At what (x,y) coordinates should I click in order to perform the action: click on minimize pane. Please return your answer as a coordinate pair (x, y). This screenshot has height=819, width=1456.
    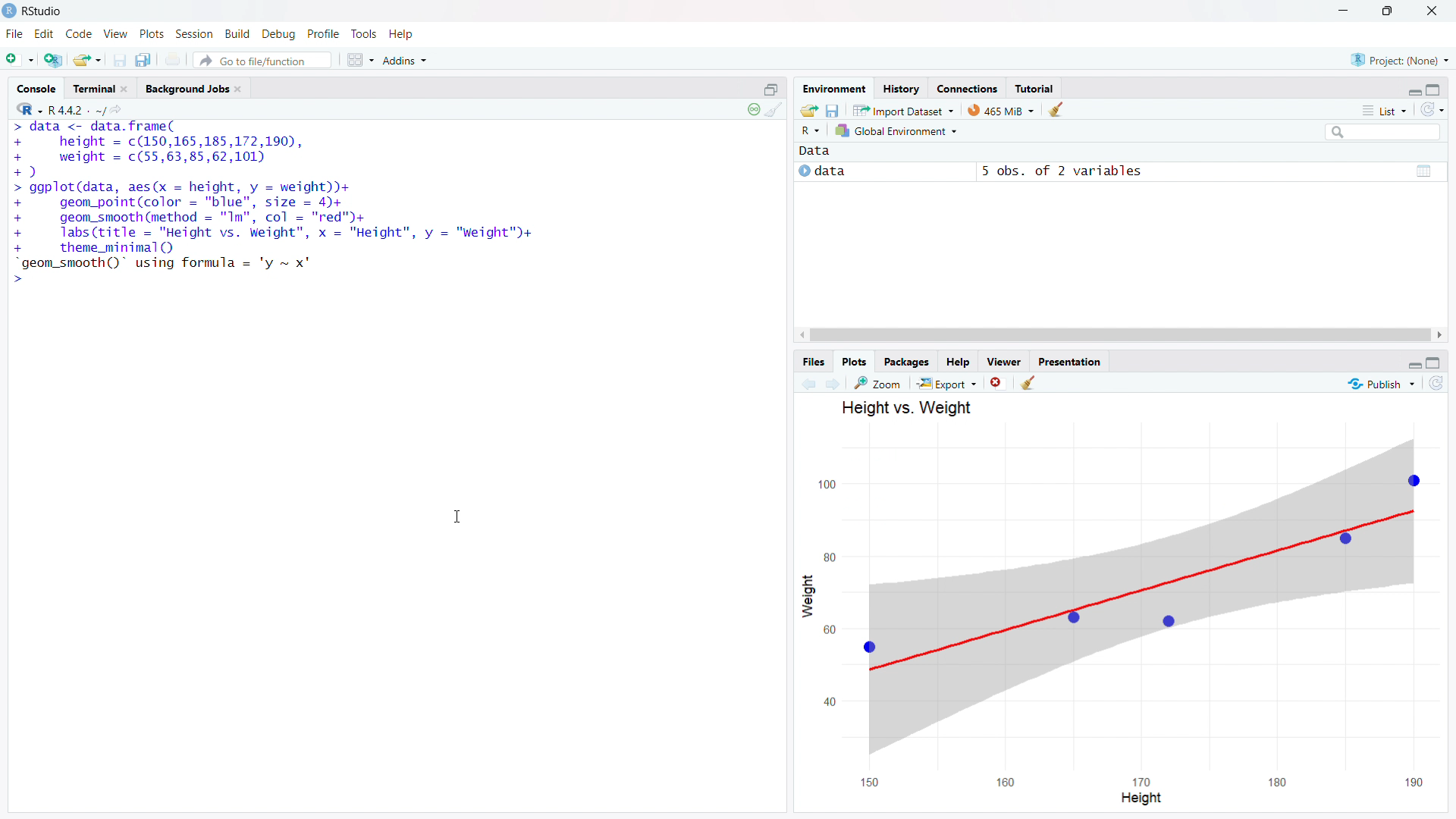
    Looking at the image, I should click on (1414, 362).